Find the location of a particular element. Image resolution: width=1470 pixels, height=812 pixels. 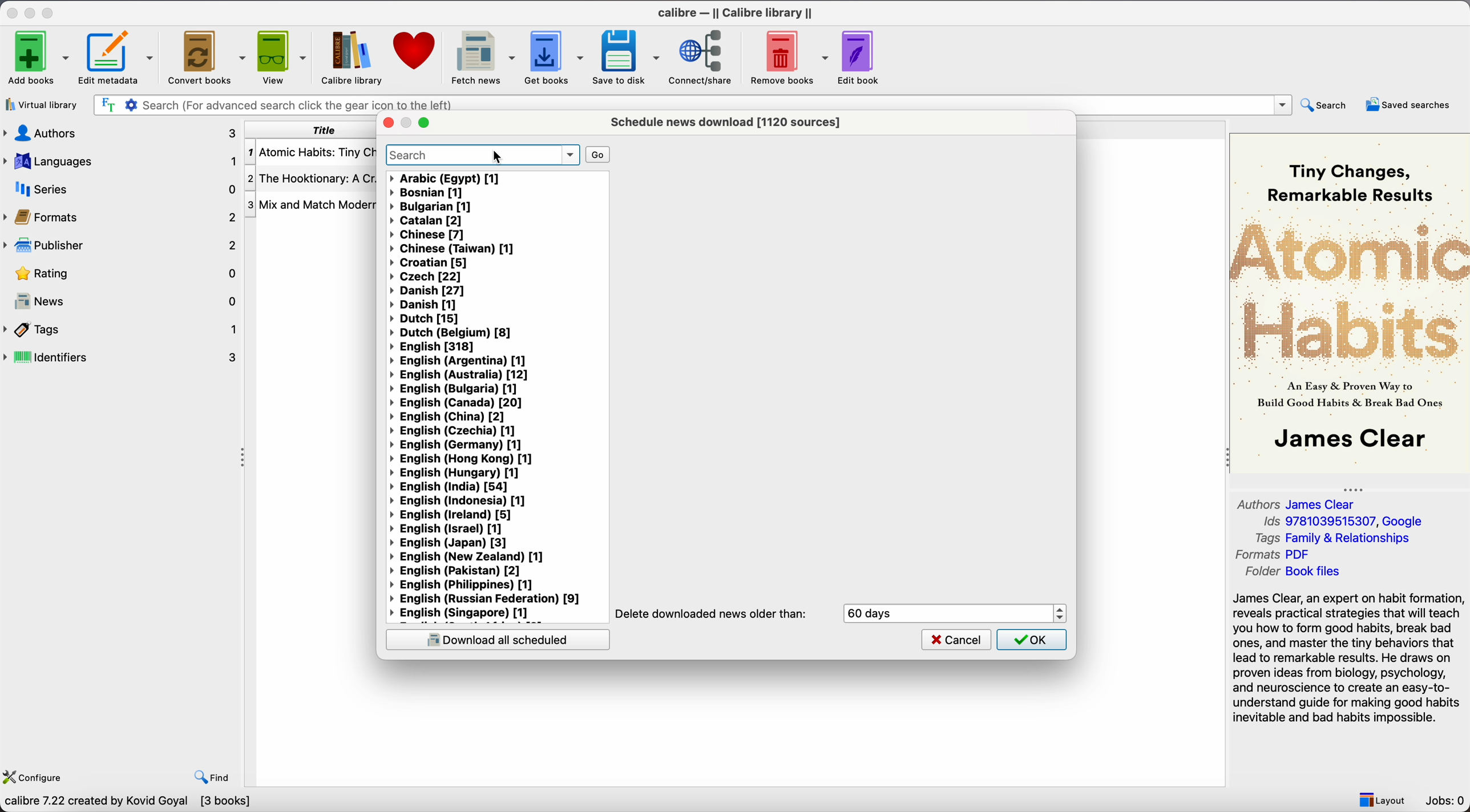

Tags Family & Relationships is located at coordinates (1338, 538).